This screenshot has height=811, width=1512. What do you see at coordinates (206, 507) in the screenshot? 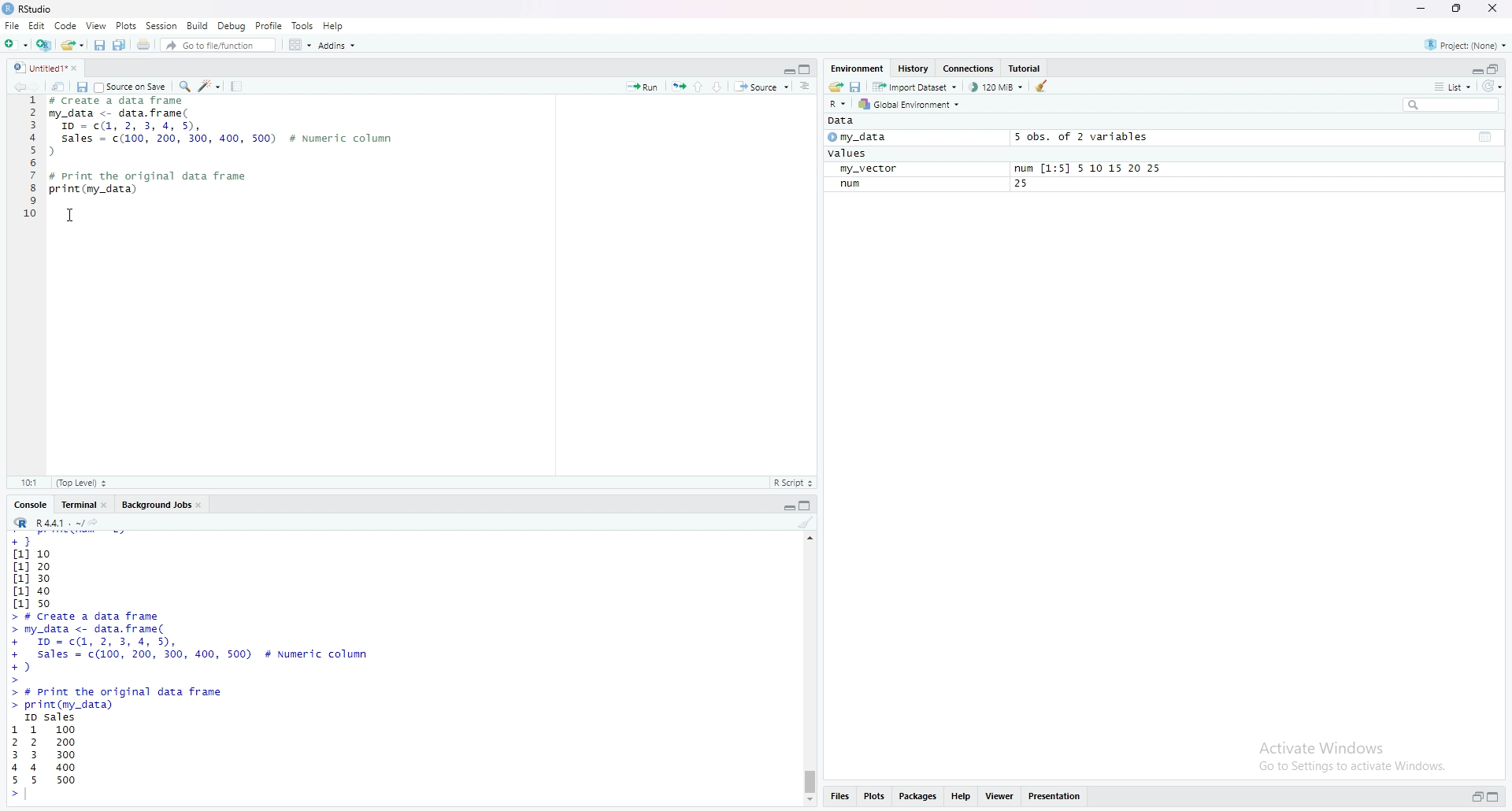
I see `close` at bounding box center [206, 507].